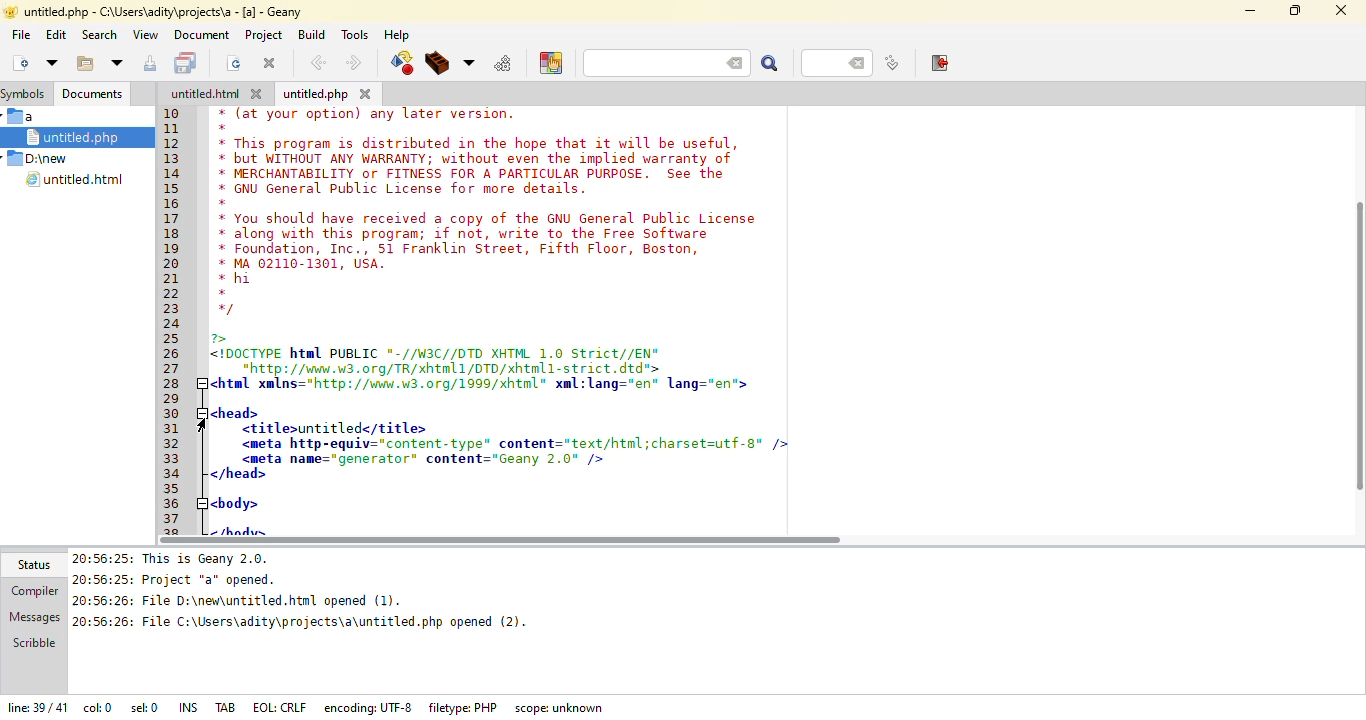 This screenshot has height=720, width=1366. I want to click on search, so click(101, 36).